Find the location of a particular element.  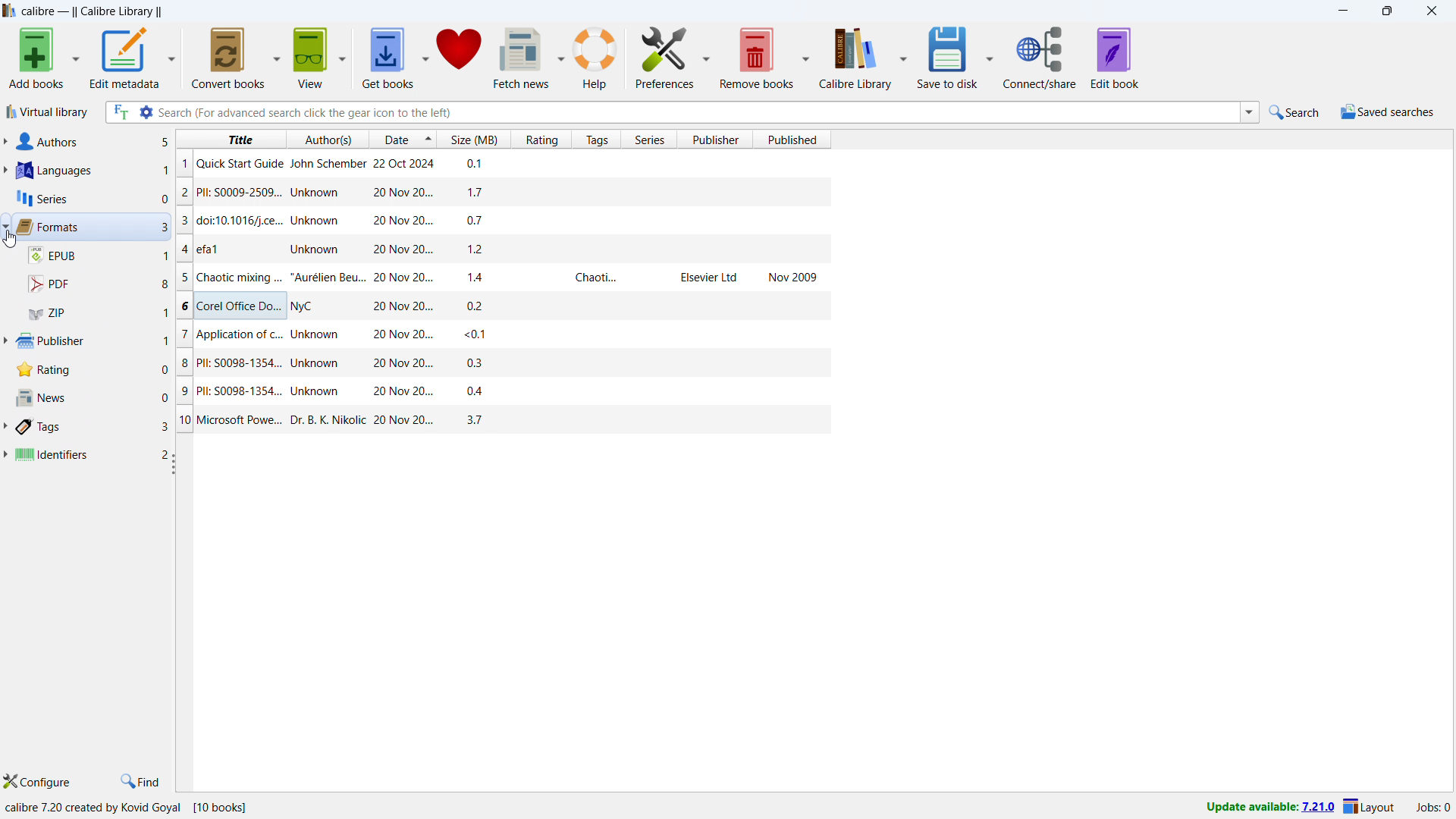

full text search is located at coordinates (120, 111).